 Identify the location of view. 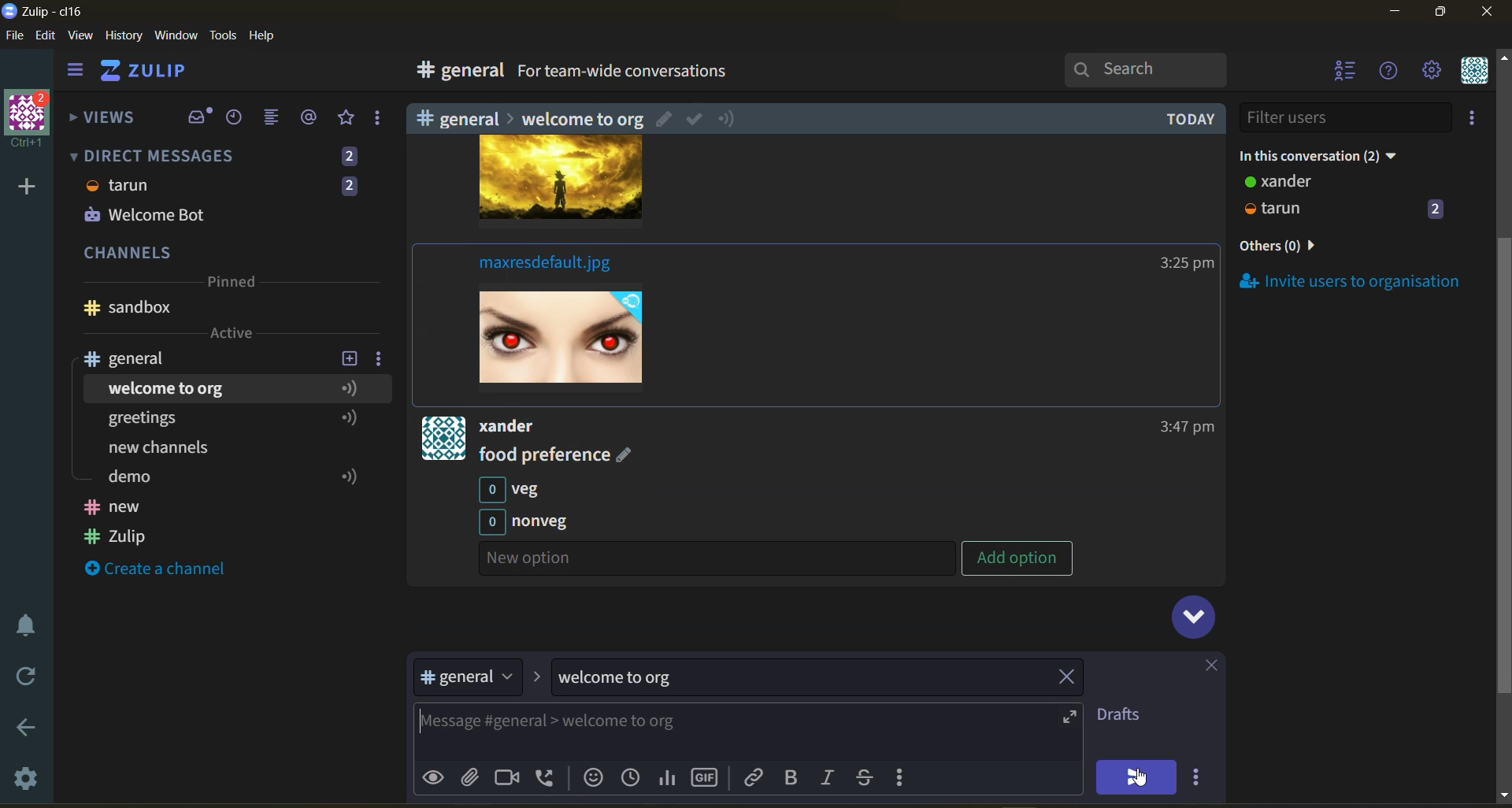
(81, 36).